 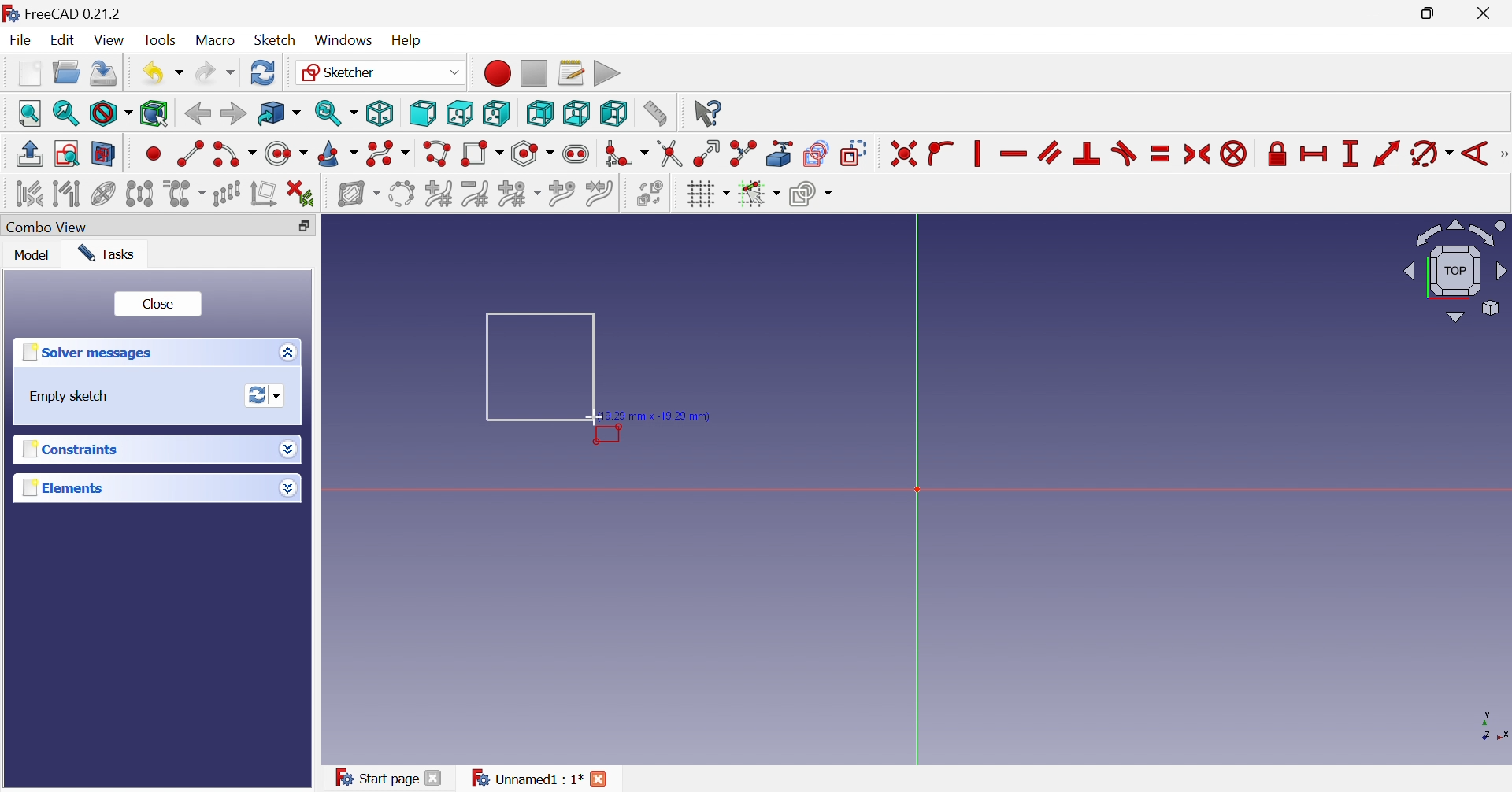 What do you see at coordinates (400, 194) in the screenshot?
I see `Convert geometry to B-spline` at bounding box center [400, 194].